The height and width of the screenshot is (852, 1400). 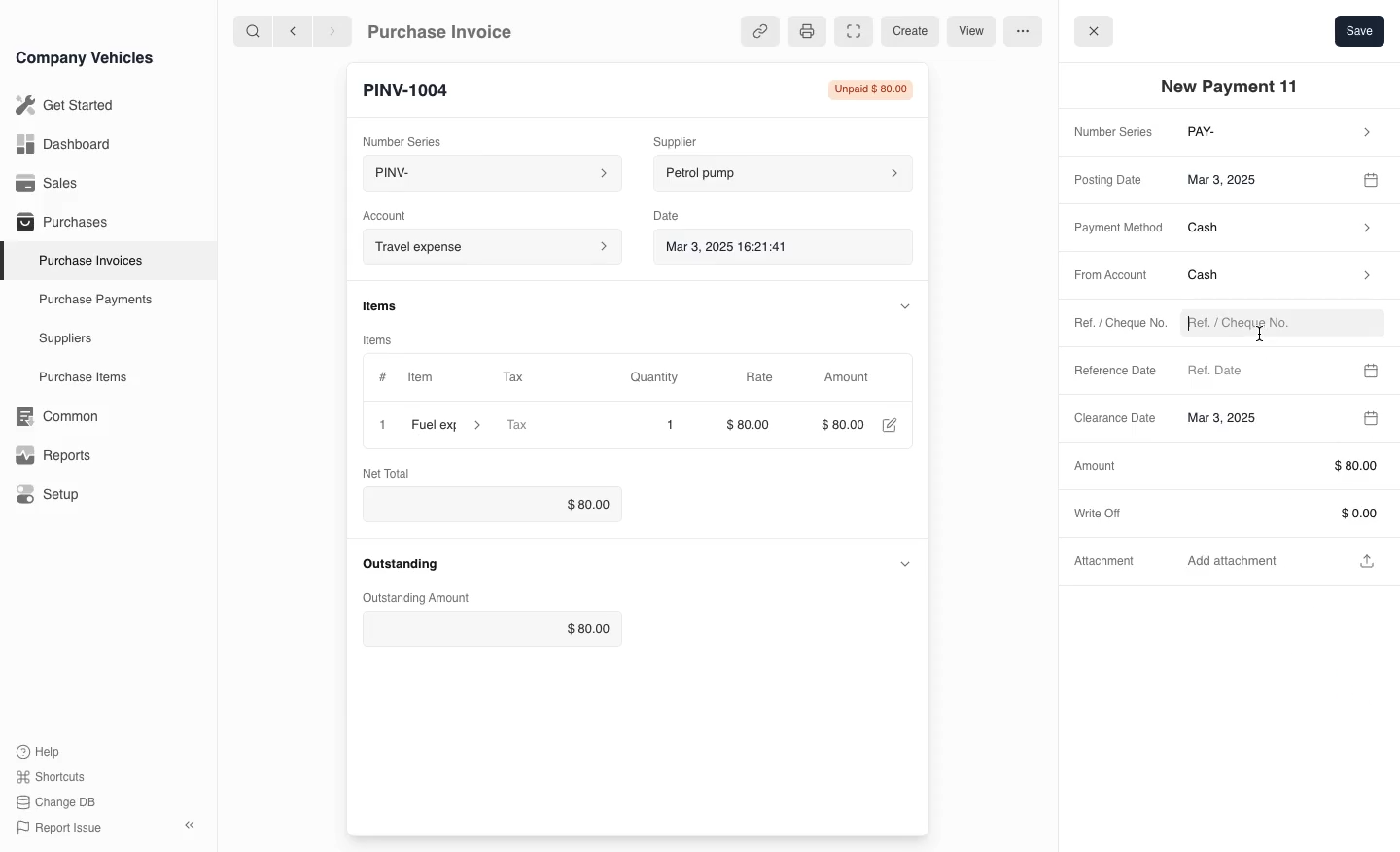 I want to click on calender, so click(x=1369, y=418).